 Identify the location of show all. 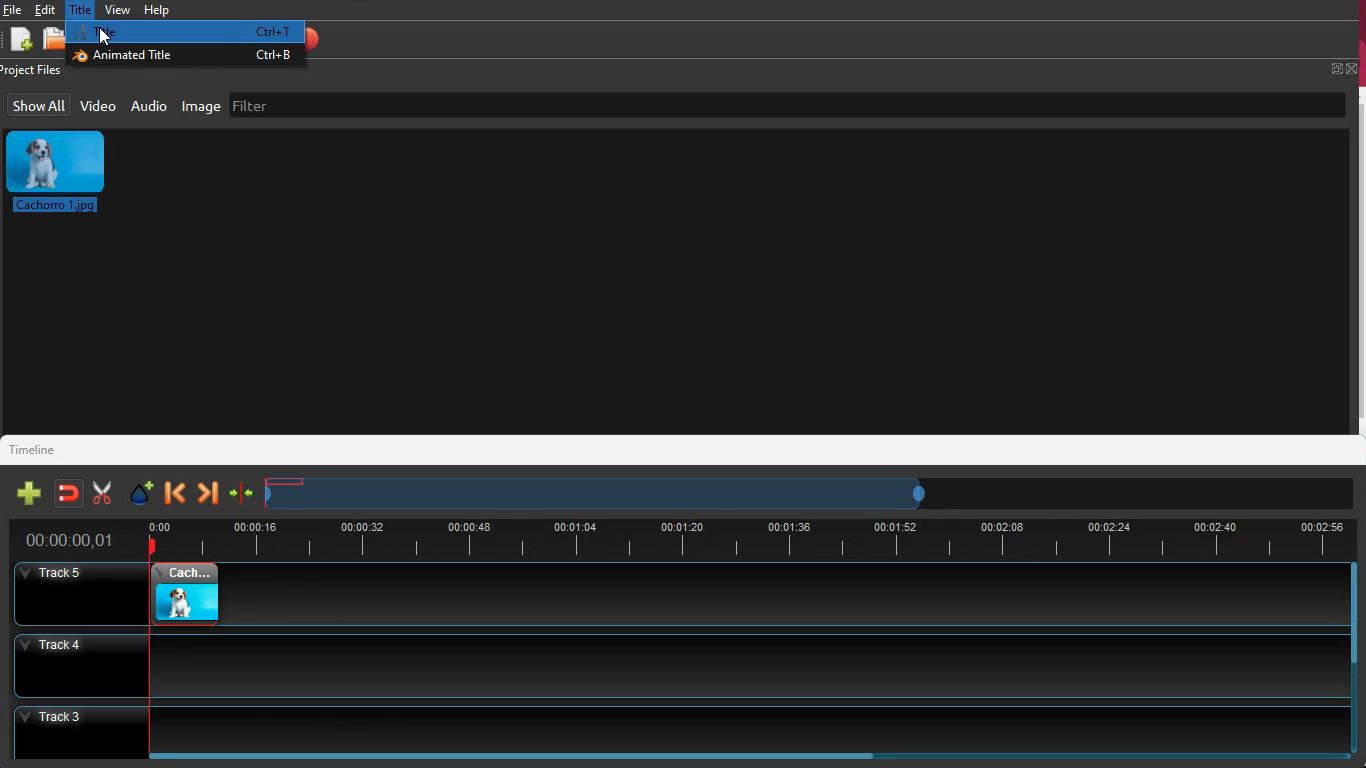
(39, 105).